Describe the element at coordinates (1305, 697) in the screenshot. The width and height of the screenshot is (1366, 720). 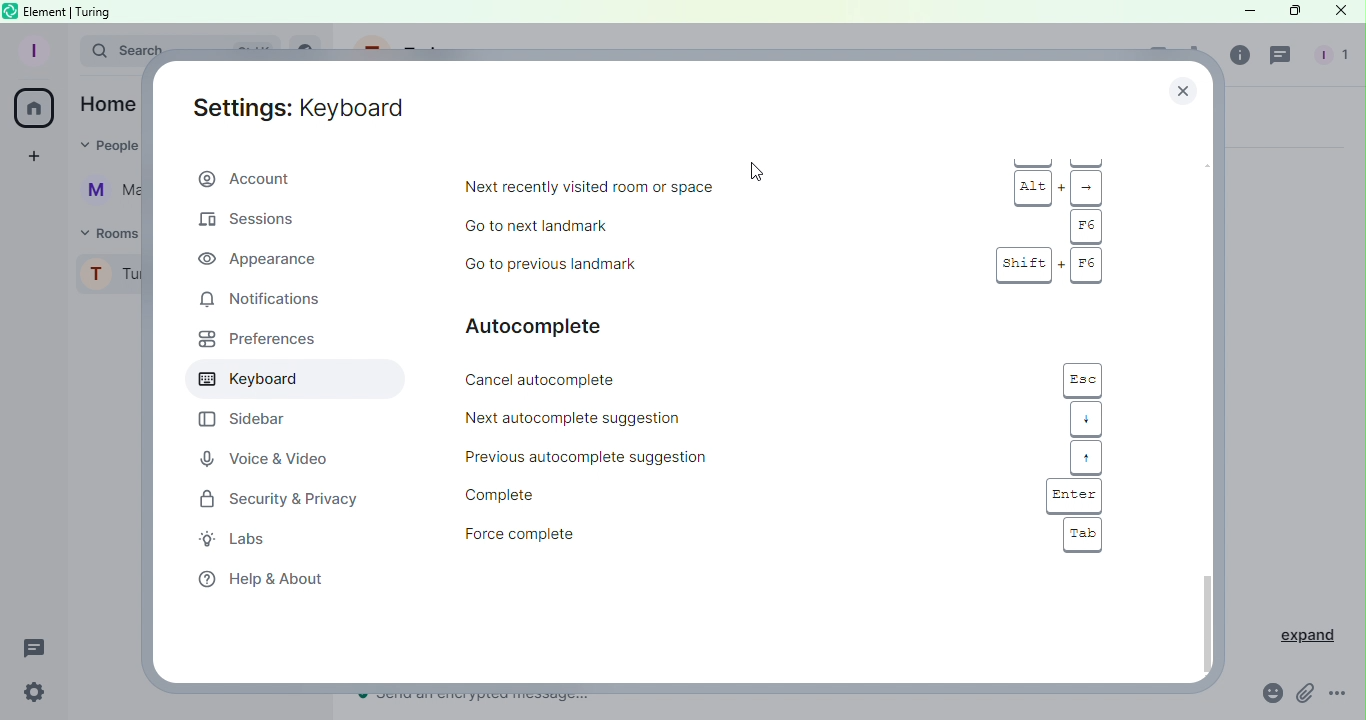
I see `Attachment` at that location.